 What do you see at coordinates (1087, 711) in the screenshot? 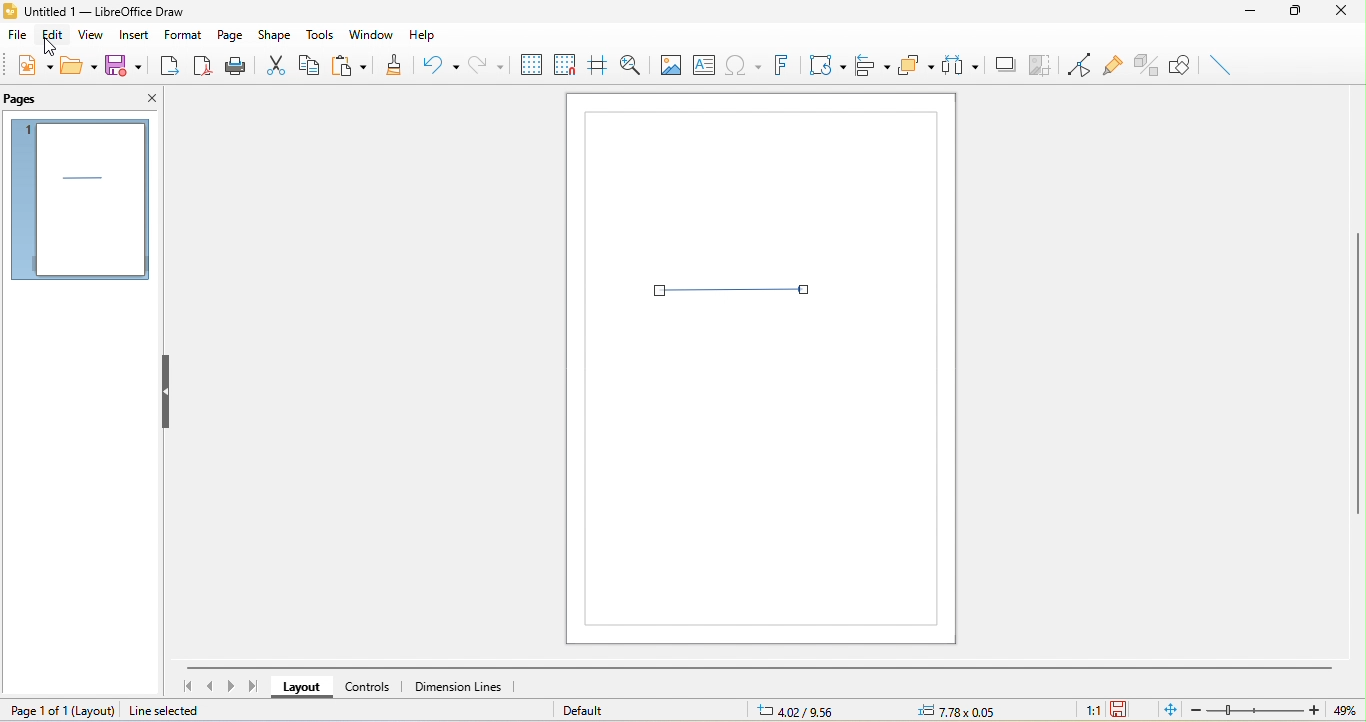
I see `1:1` at bounding box center [1087, 711].